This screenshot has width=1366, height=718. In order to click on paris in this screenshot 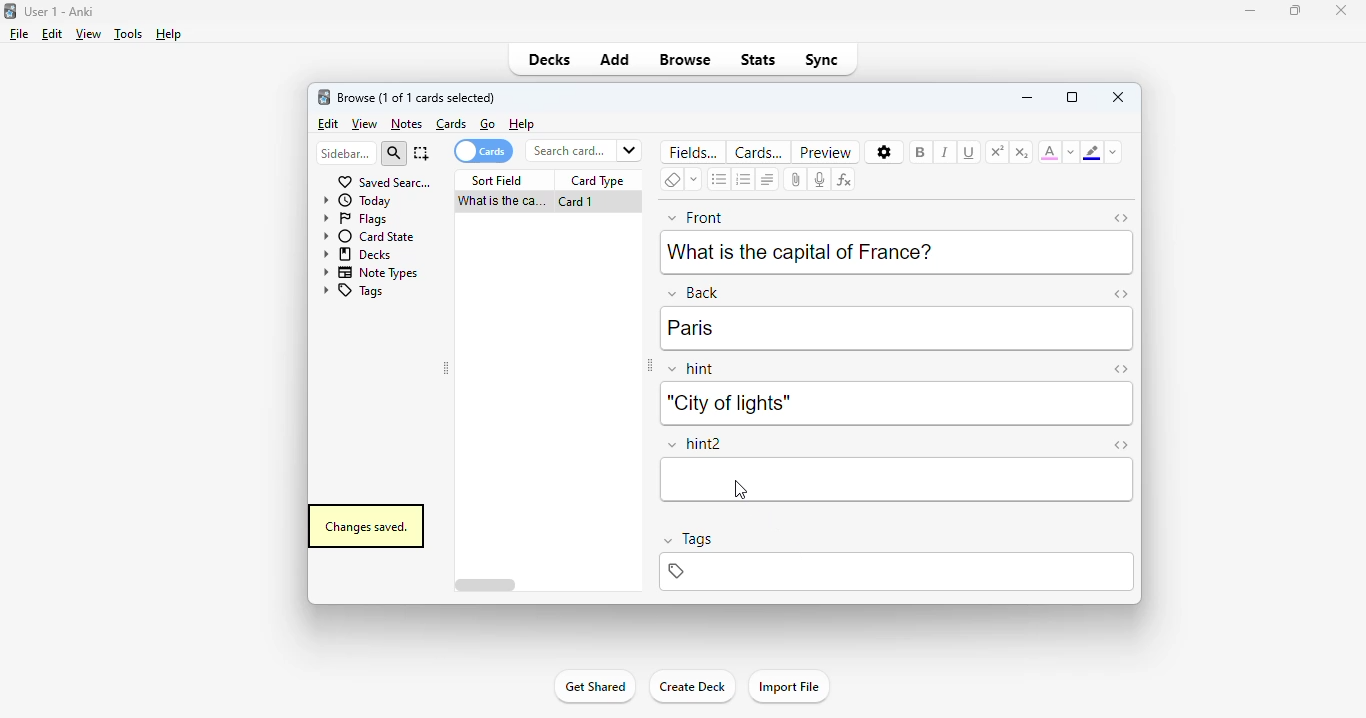, I will do `click(691, 328)`.